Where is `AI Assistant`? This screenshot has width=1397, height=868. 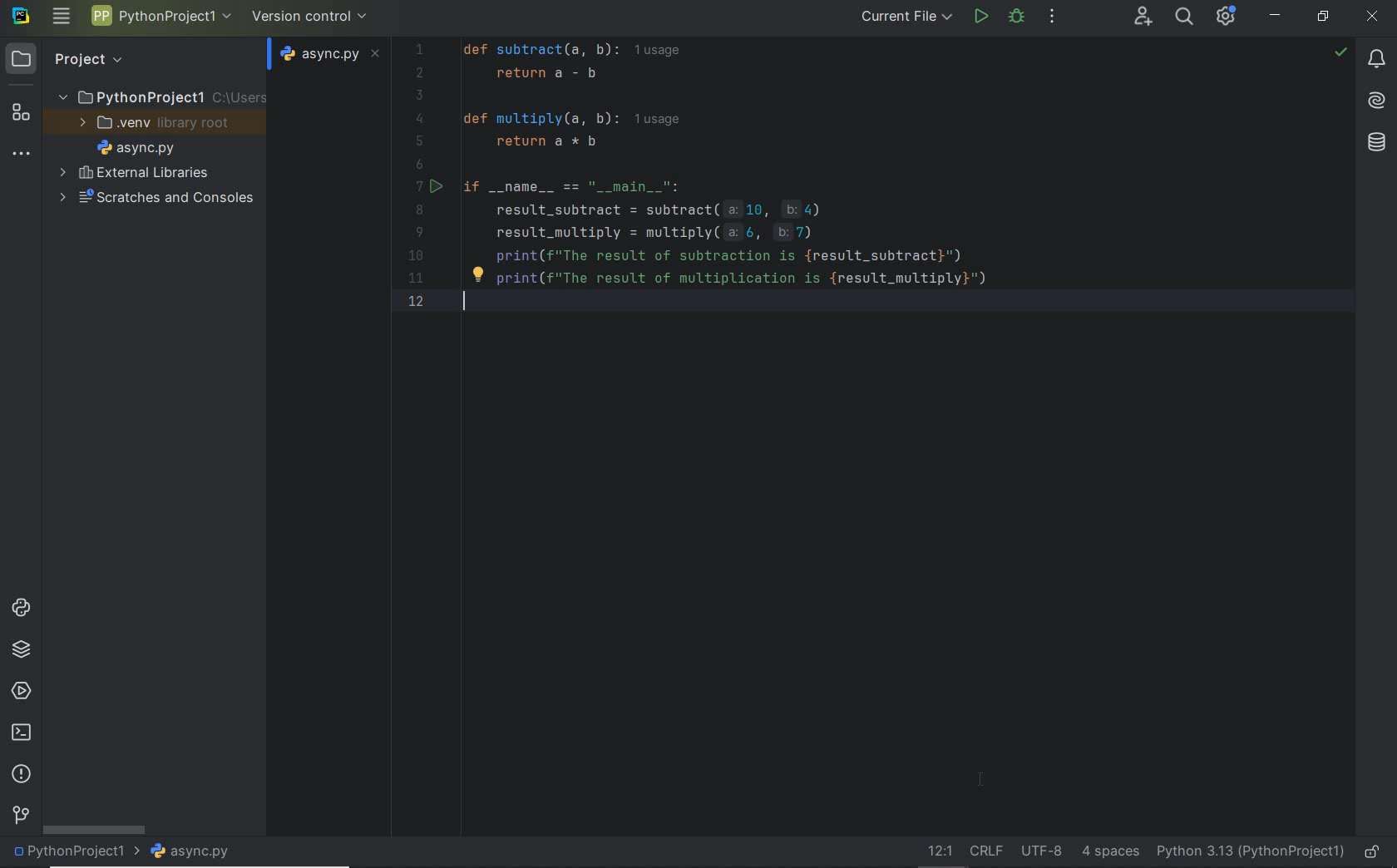 AI Assistant is located at coordinates (1372, 101).